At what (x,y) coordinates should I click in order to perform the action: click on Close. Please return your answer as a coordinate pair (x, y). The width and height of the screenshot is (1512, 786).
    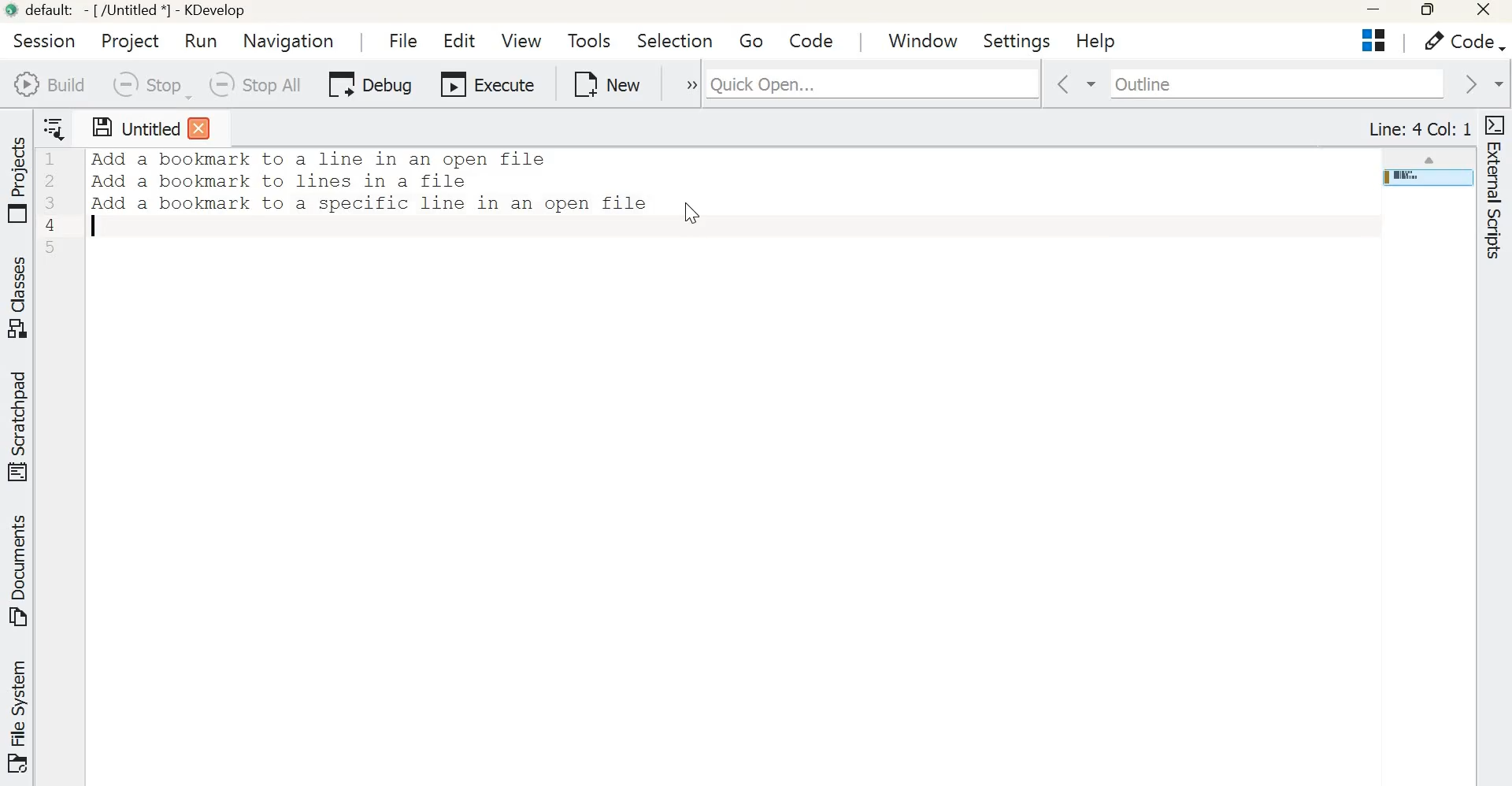
    Looking at the image, I should click on (1485, 12).